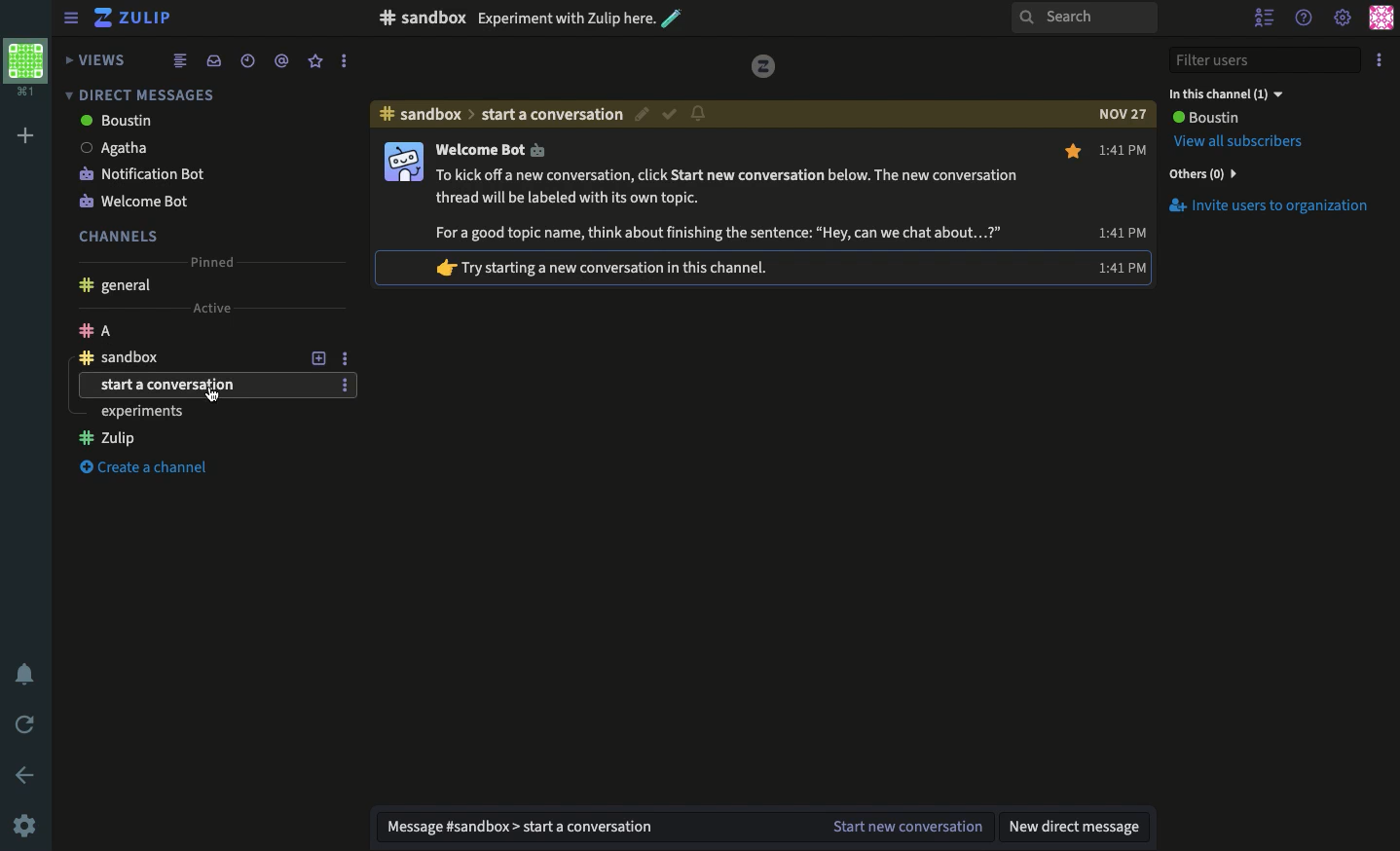 This screenshot has width=1400, height=851. Describe the element at coordinates (422, 18) in the screenshot. I see `# sandbox` at that location.